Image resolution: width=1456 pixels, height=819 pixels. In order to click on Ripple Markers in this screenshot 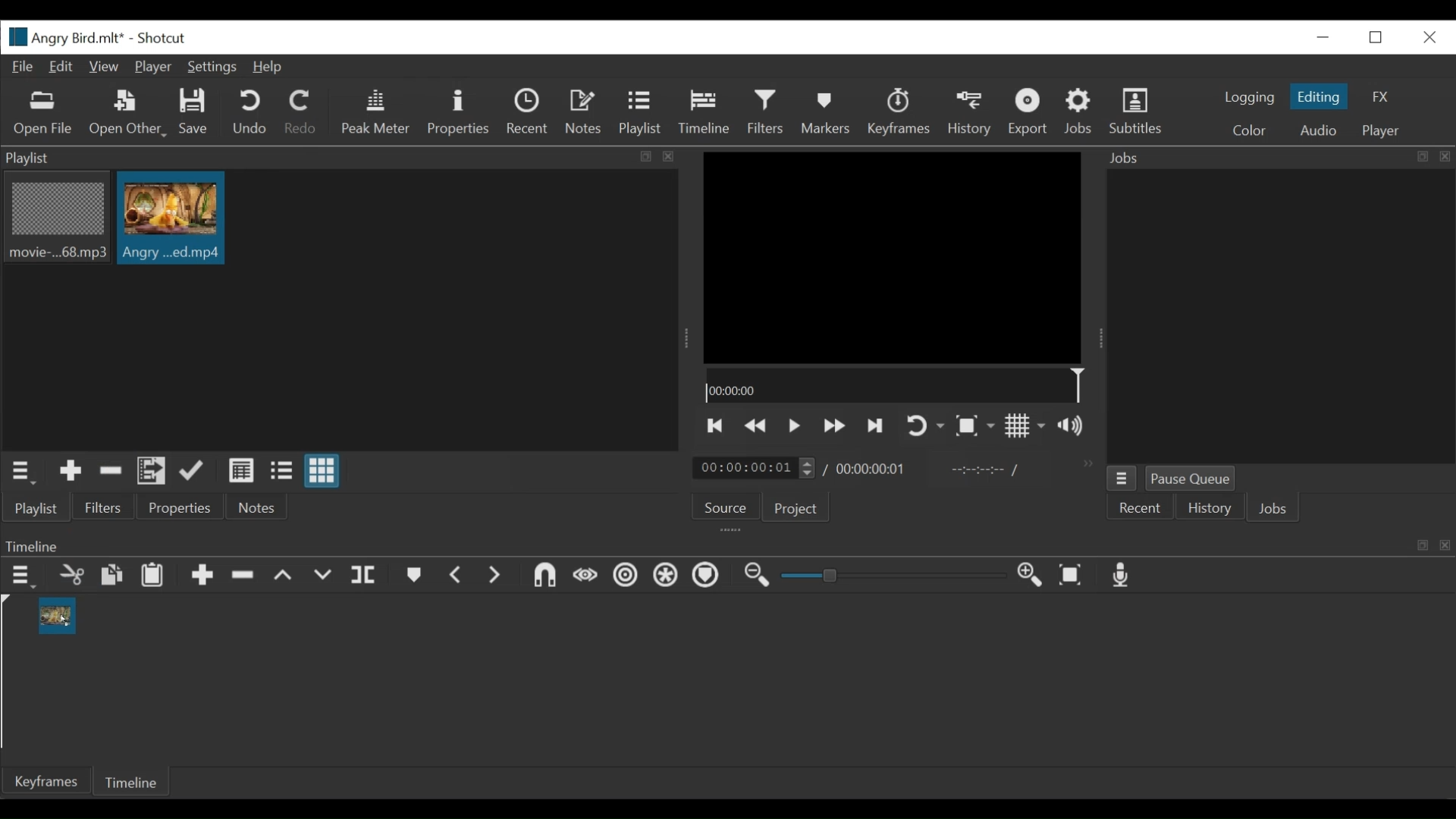, I will do `click(708, 576)`.